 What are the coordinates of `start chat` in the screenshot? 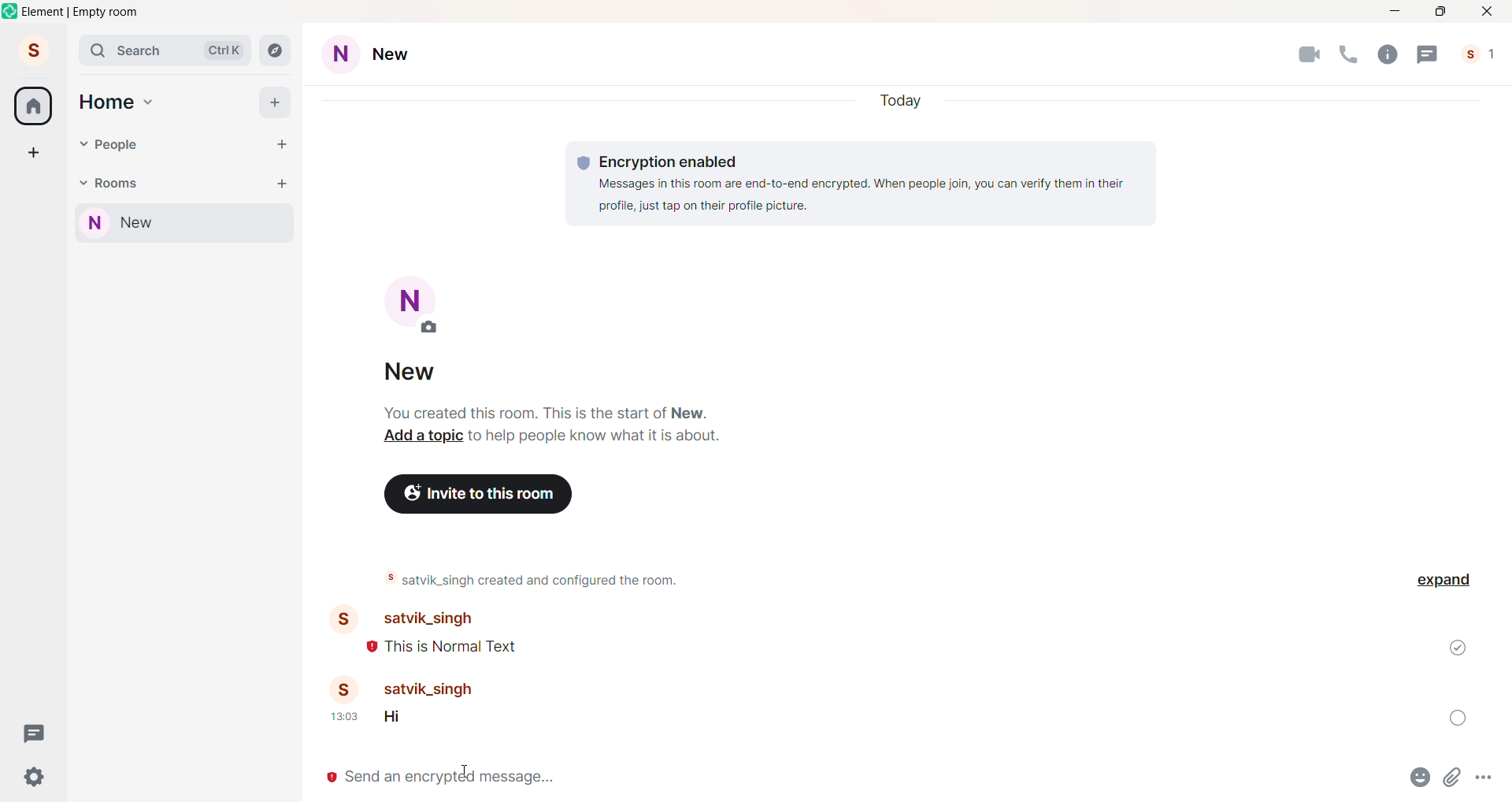 It's located at (281, 145).